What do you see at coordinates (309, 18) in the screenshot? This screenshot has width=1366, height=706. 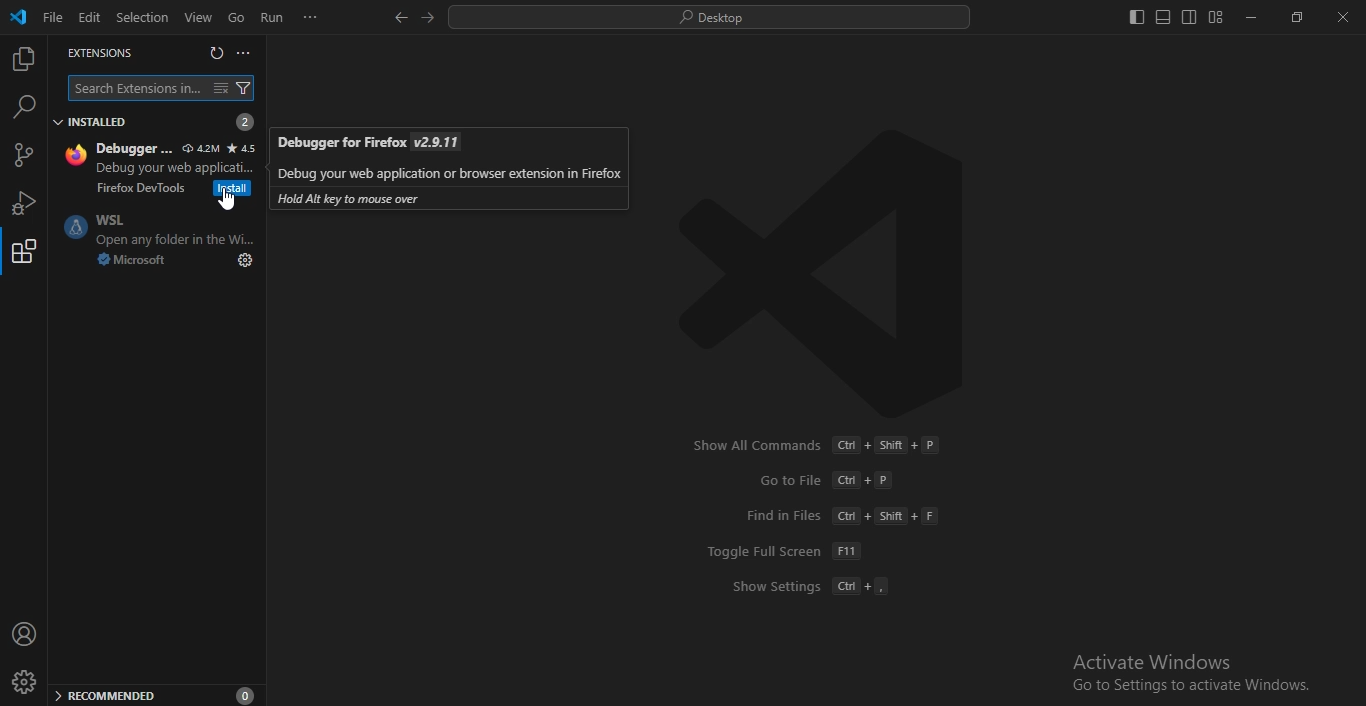 I see `...` at bounding box center [309, 18].